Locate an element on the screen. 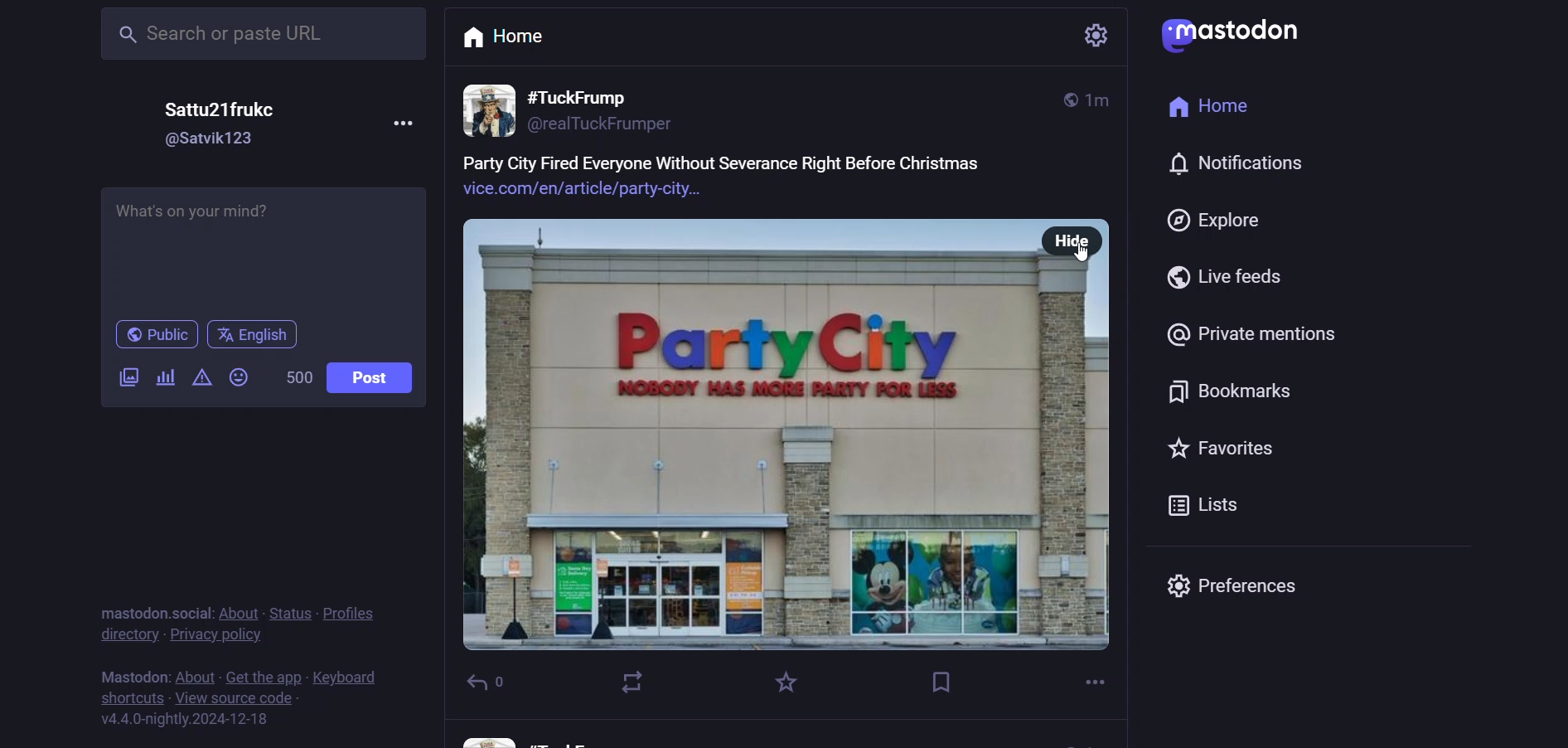 This screenshot has height=748, width=1568. Post is located at coordinates (367, 378).